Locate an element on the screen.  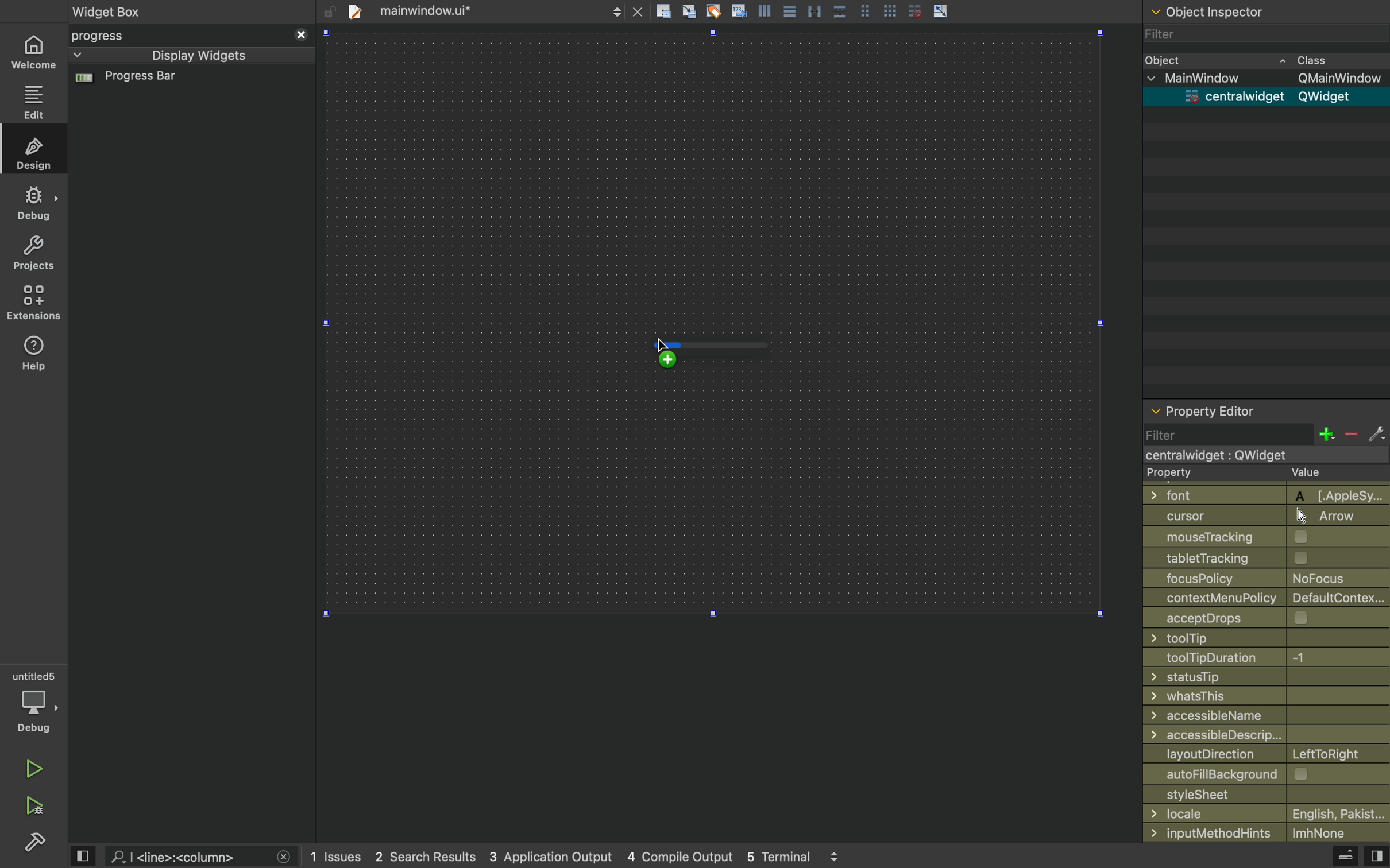
cursor is located at coordinates (1260, 516).